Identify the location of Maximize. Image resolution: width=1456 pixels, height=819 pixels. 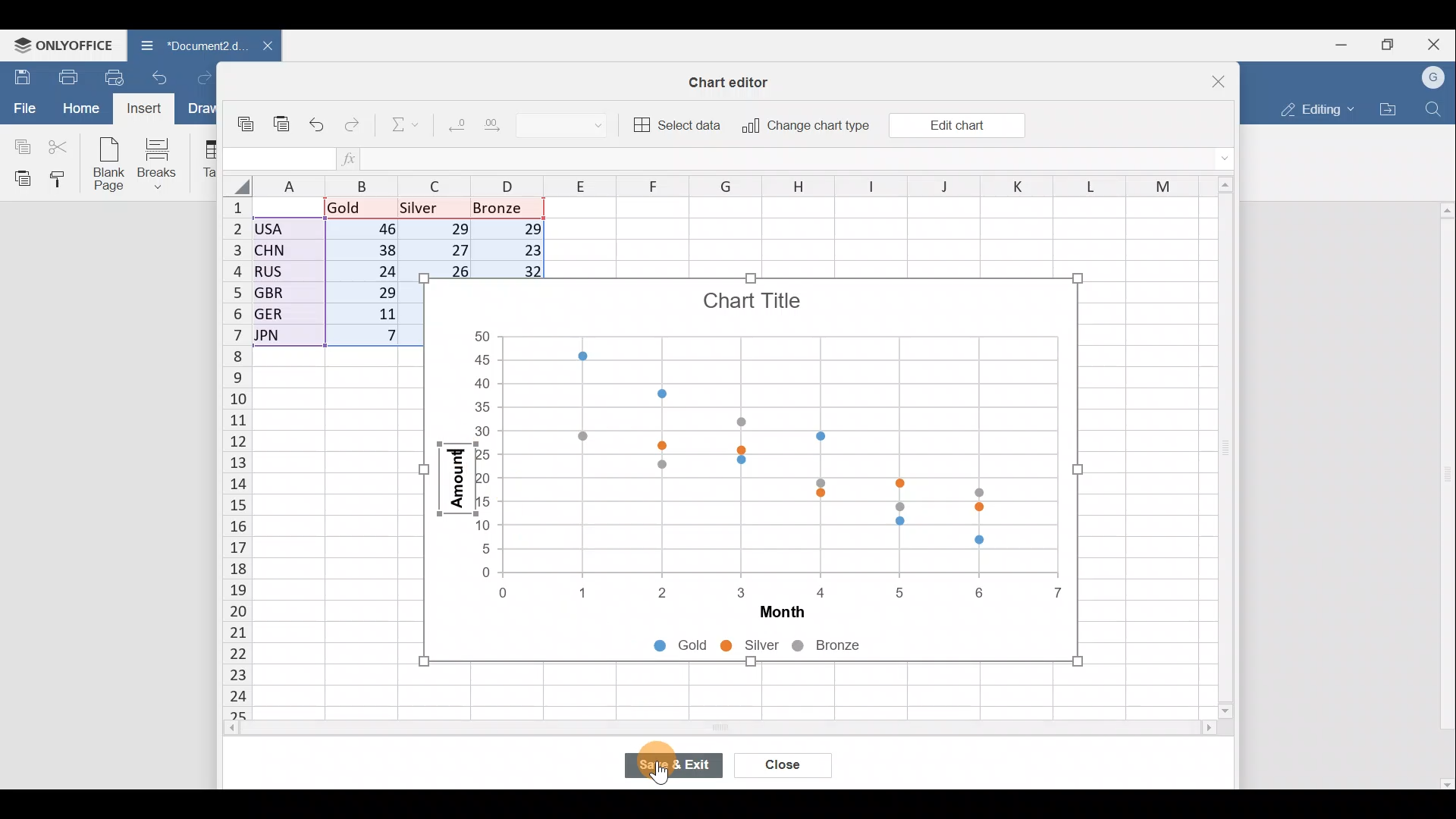
(1389, 45).